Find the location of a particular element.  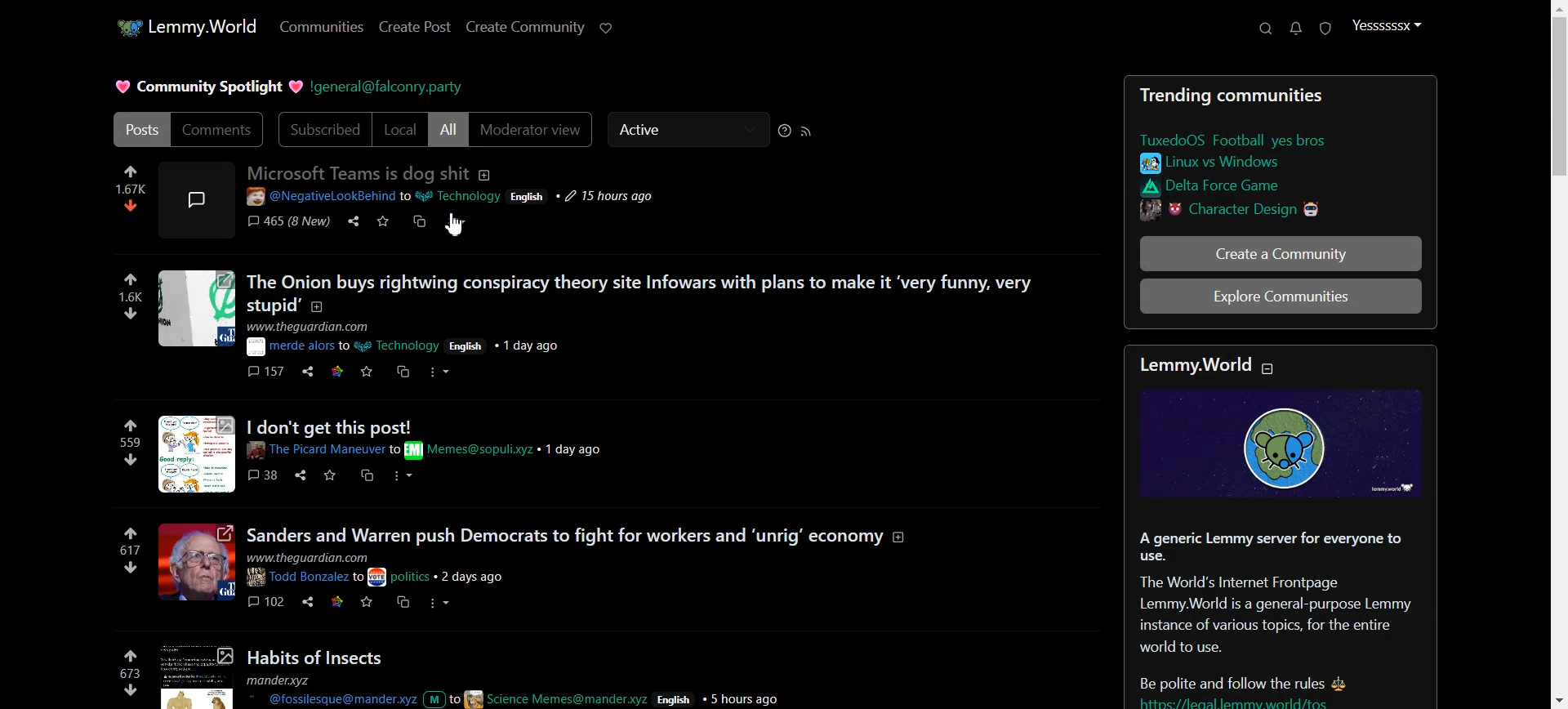

Explore Communitites is located at coordinates (1281, 297).